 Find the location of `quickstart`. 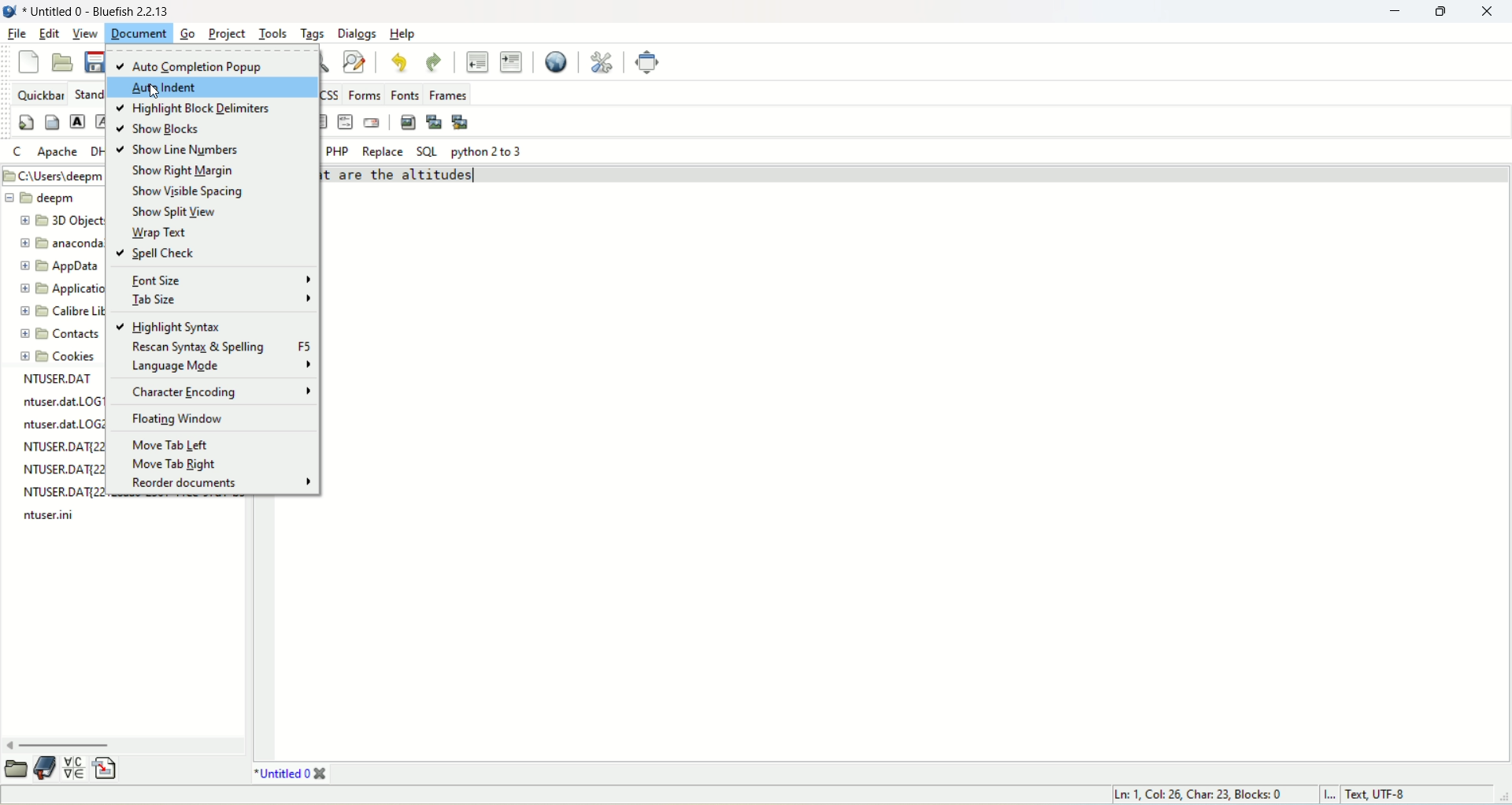

quickstart is located at coordinates (27, 121).